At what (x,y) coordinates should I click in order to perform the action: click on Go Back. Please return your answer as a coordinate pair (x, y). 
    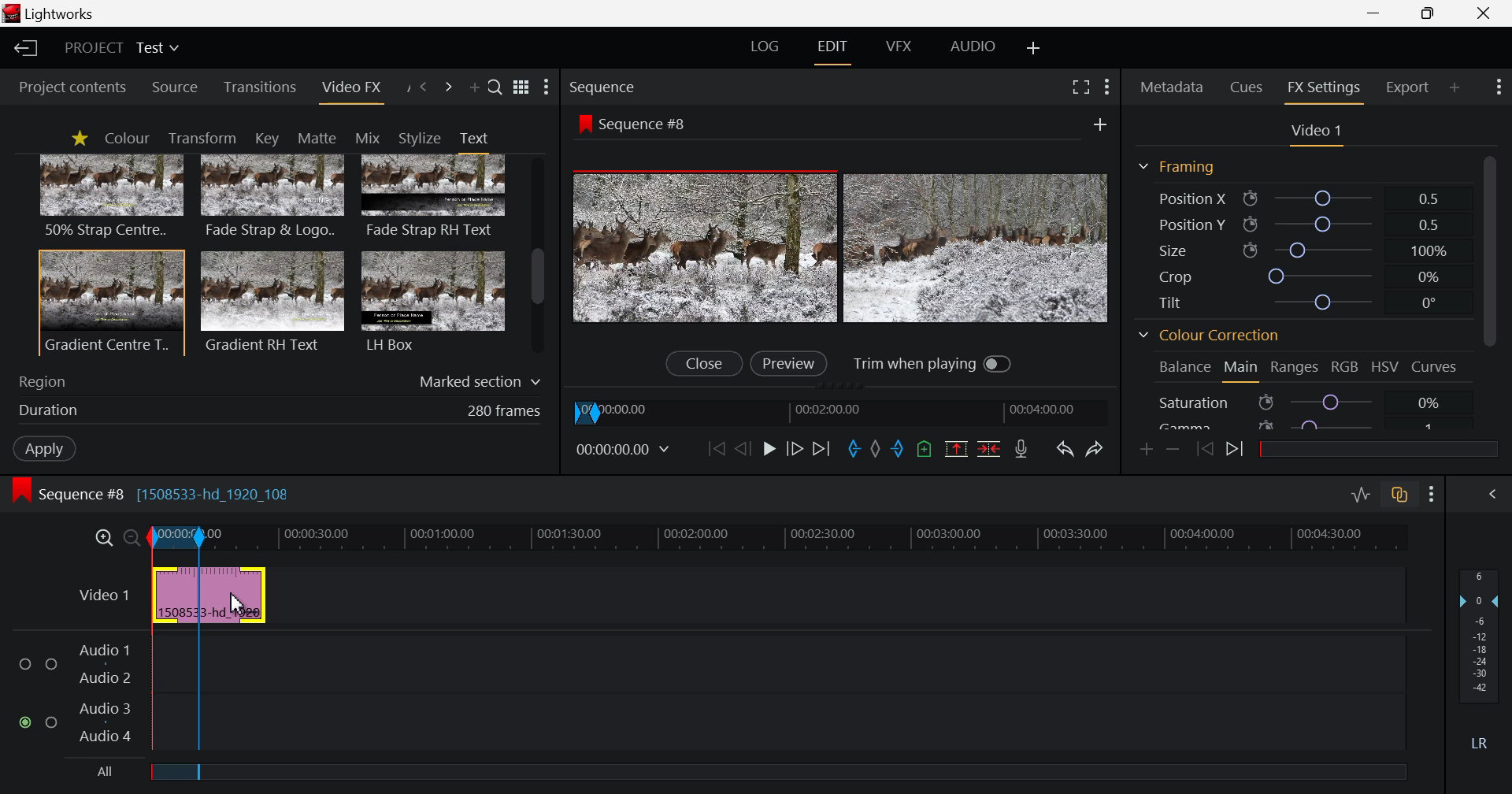
    Looking at the image, I should click on (743, 448).